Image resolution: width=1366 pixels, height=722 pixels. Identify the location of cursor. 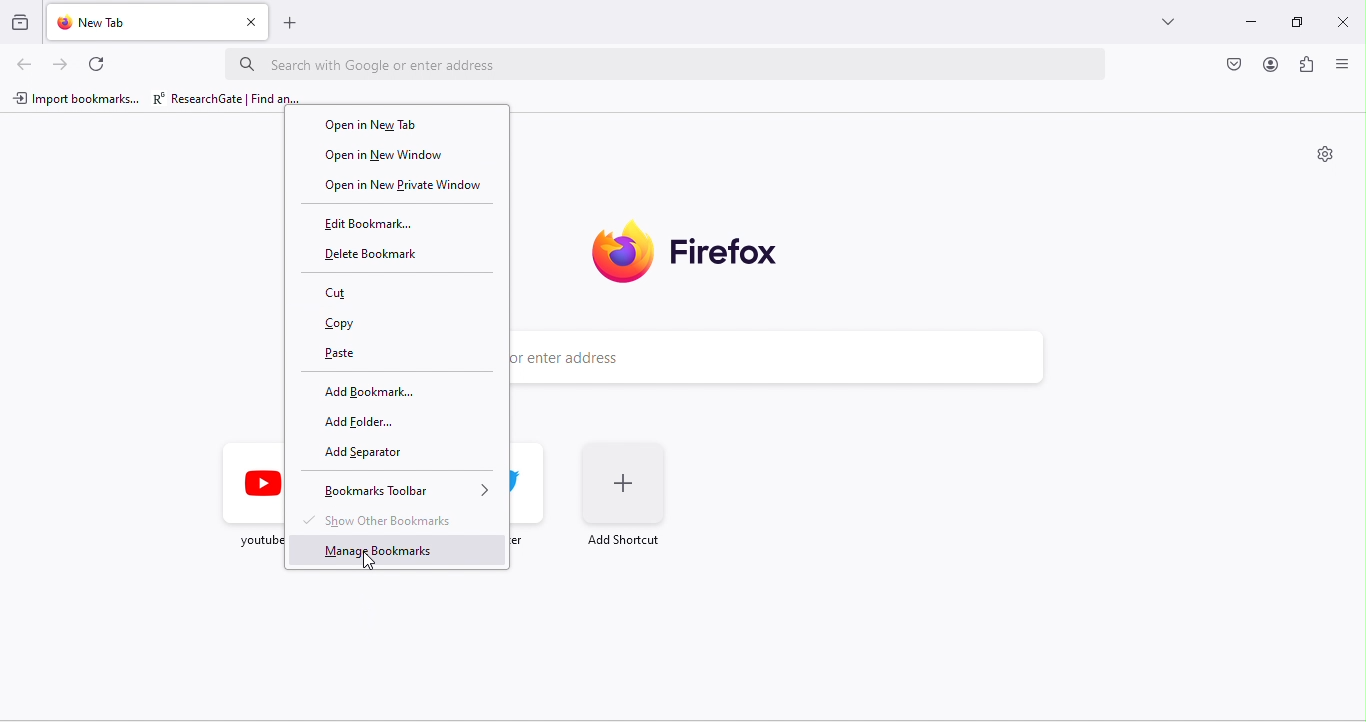
(374, 563).